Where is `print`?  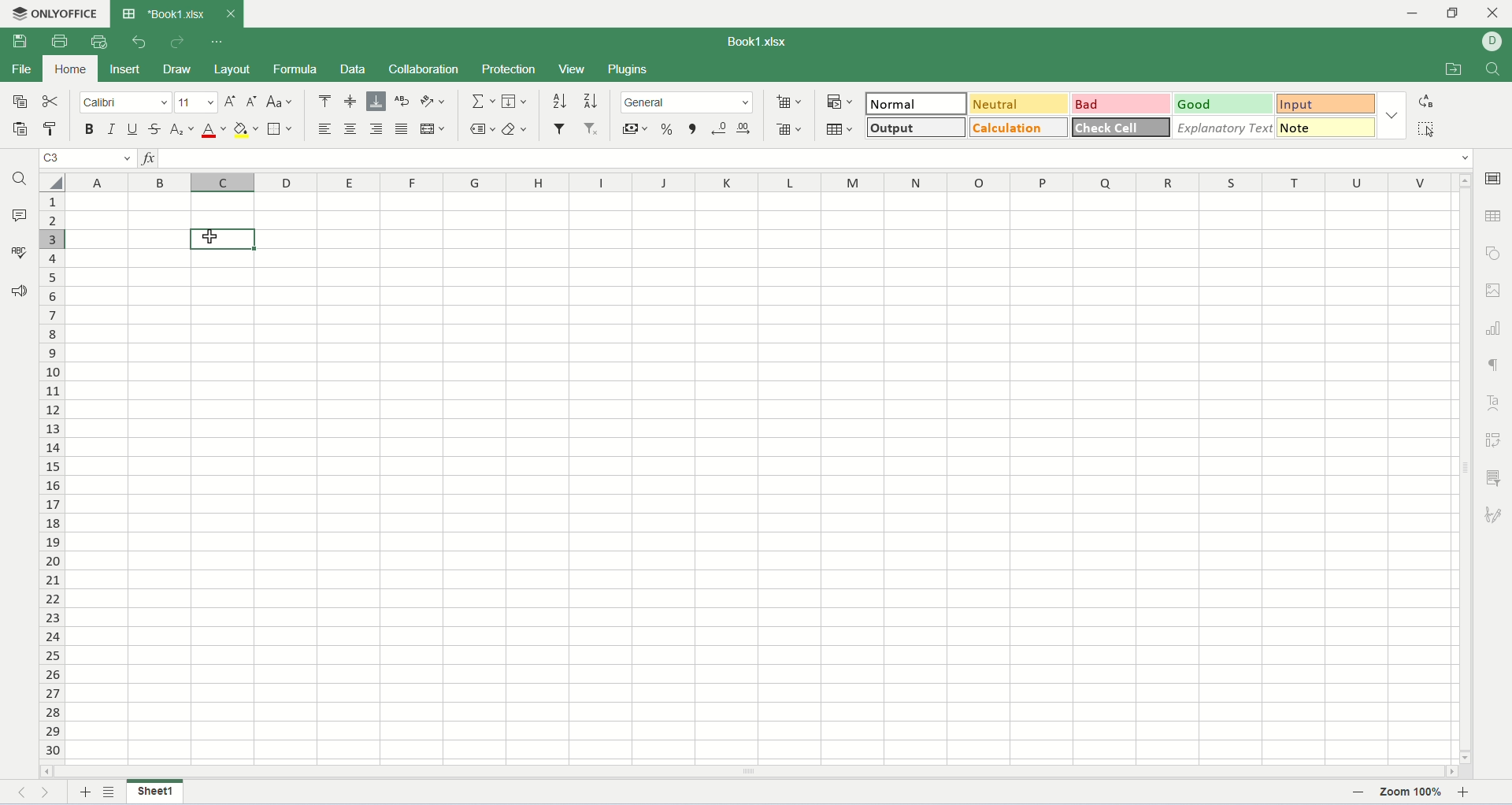
print is located at coordinates (59, 42).